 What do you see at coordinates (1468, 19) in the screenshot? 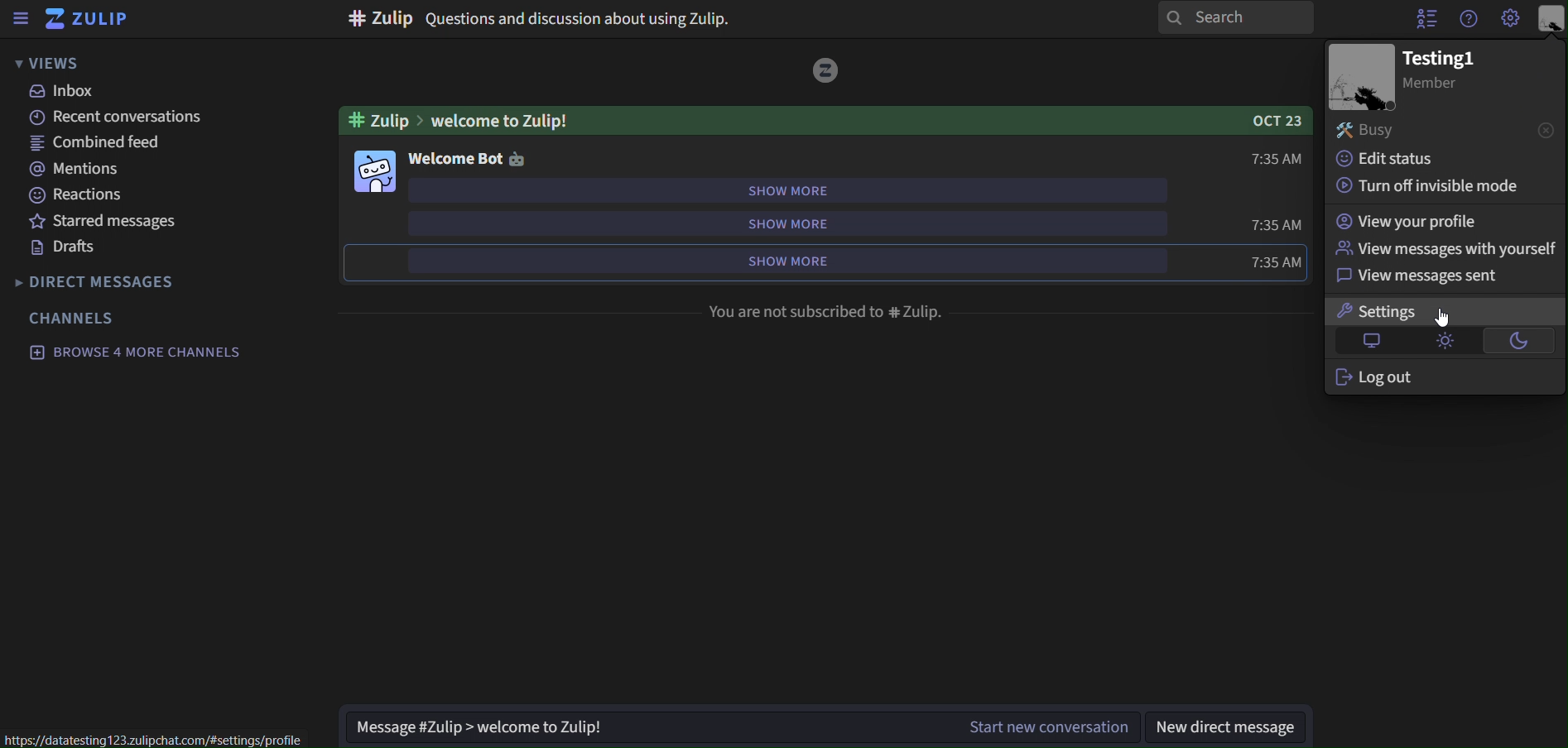
I see `get help` at bounding box center [1468, 19].